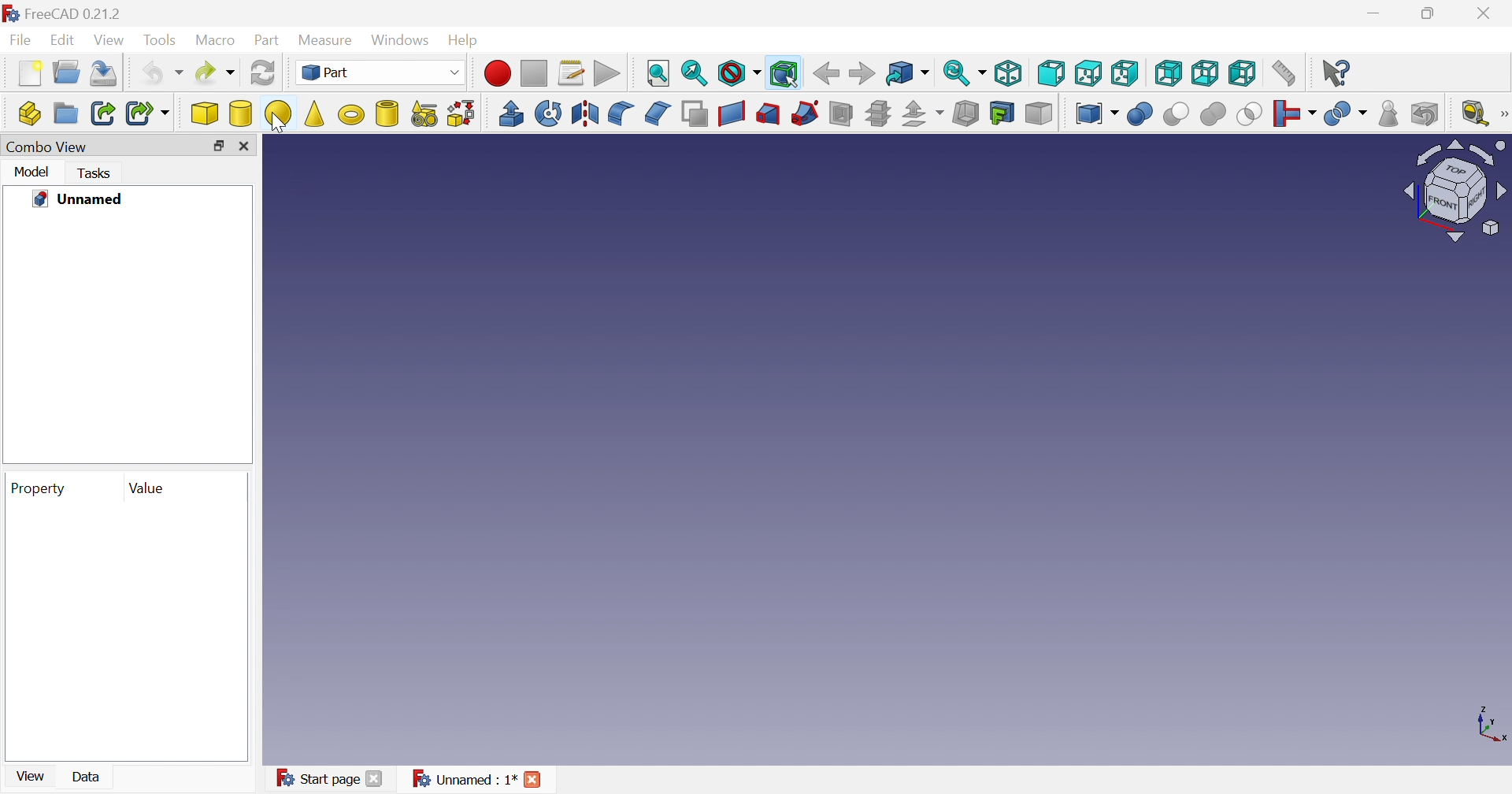 The width and height of the screenshot is (1512, 794). What do you see at coordinates (967, 73) in the screenshot?
I see `Sync view` at bounding box center [967, 73].